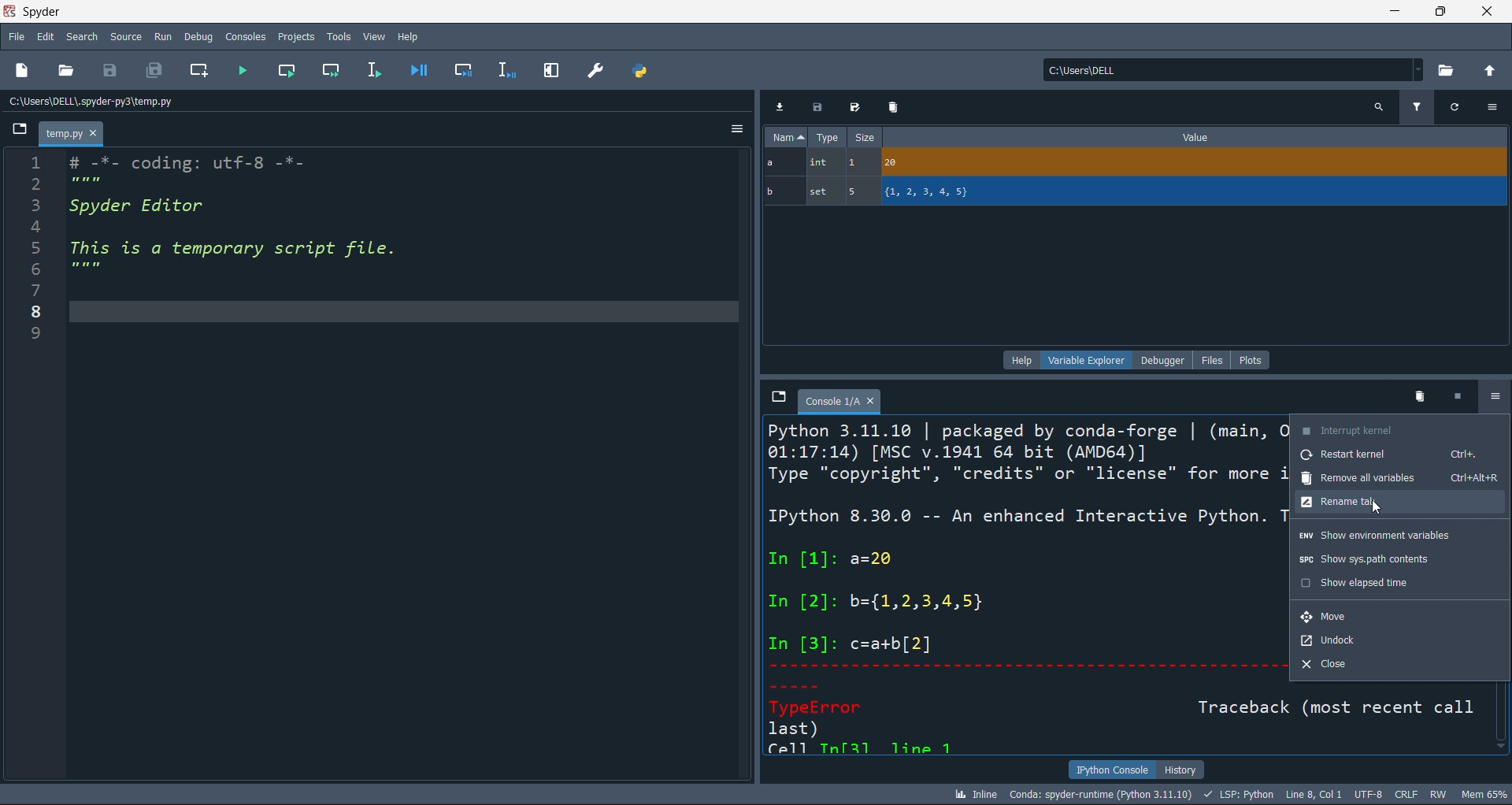 This screenshot has height=805, width=1512. What do you see at coordinates (1019, 359) in the screenshot?
I see `help` at bounding box center [1019, 359].